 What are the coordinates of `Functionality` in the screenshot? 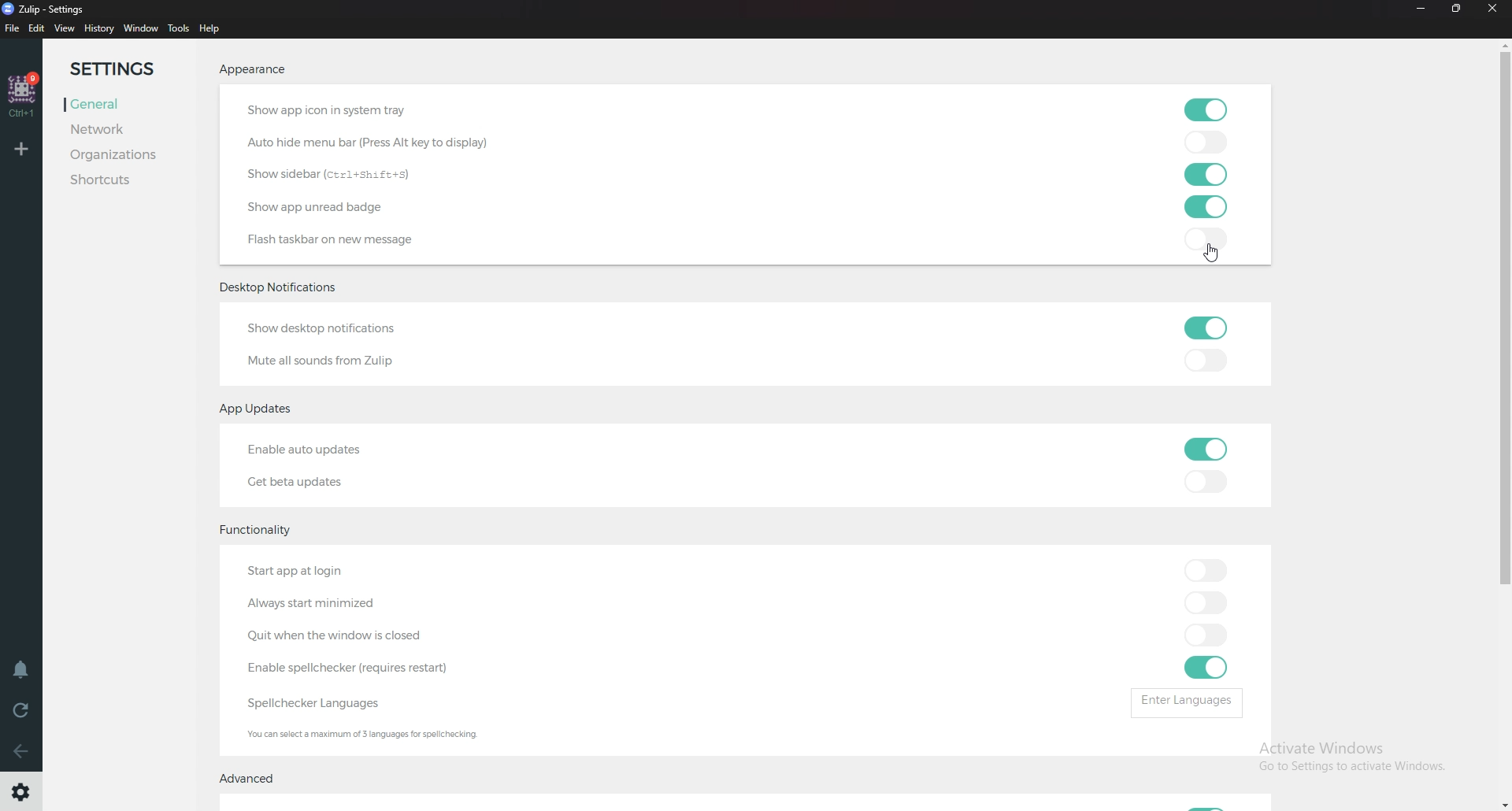 It's located at (257, 531).